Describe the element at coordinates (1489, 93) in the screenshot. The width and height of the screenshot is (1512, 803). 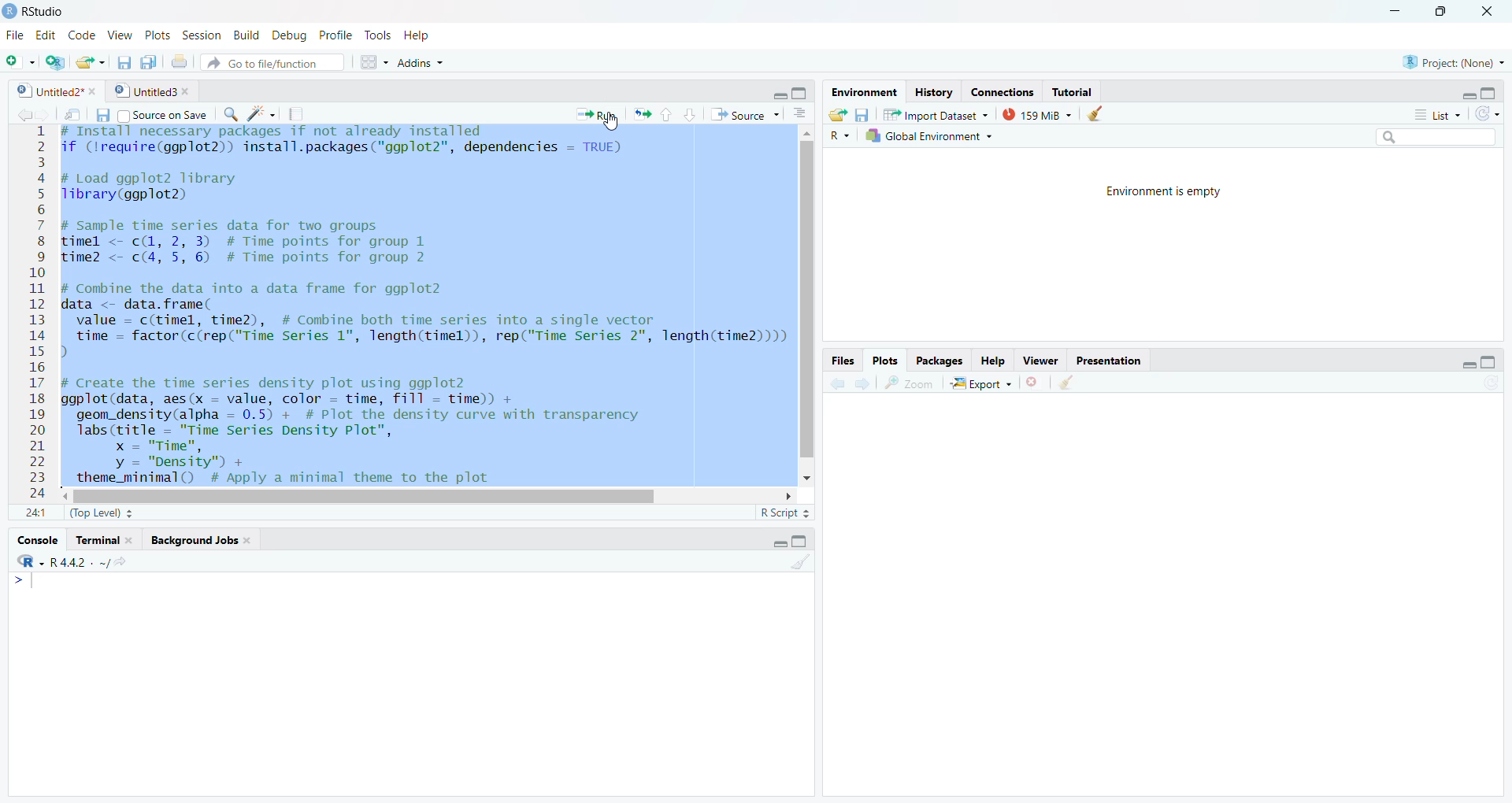
I see `Maximize` at that location.